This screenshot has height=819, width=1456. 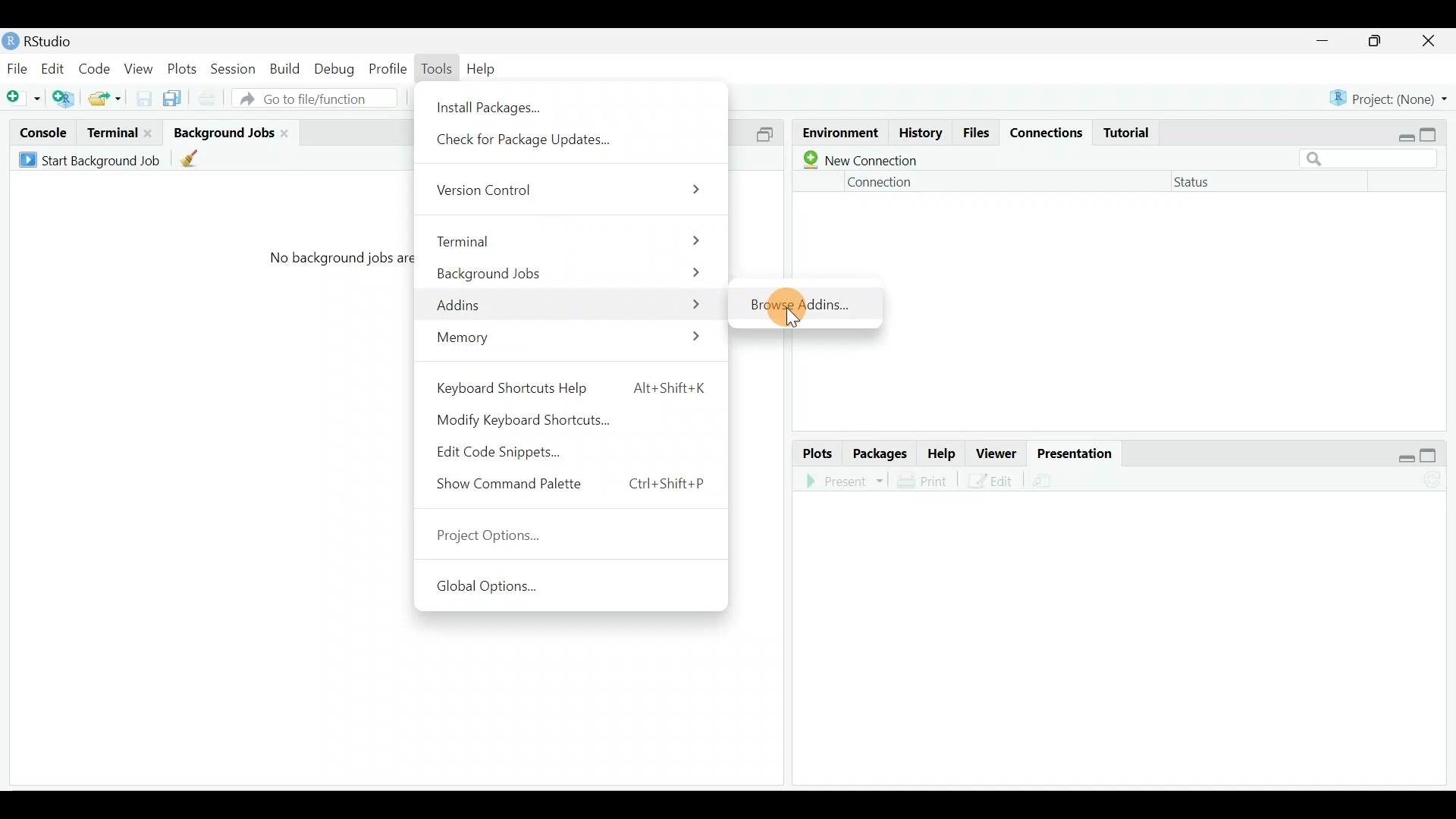 I want to click on Packages, so click(x=881, y=453).